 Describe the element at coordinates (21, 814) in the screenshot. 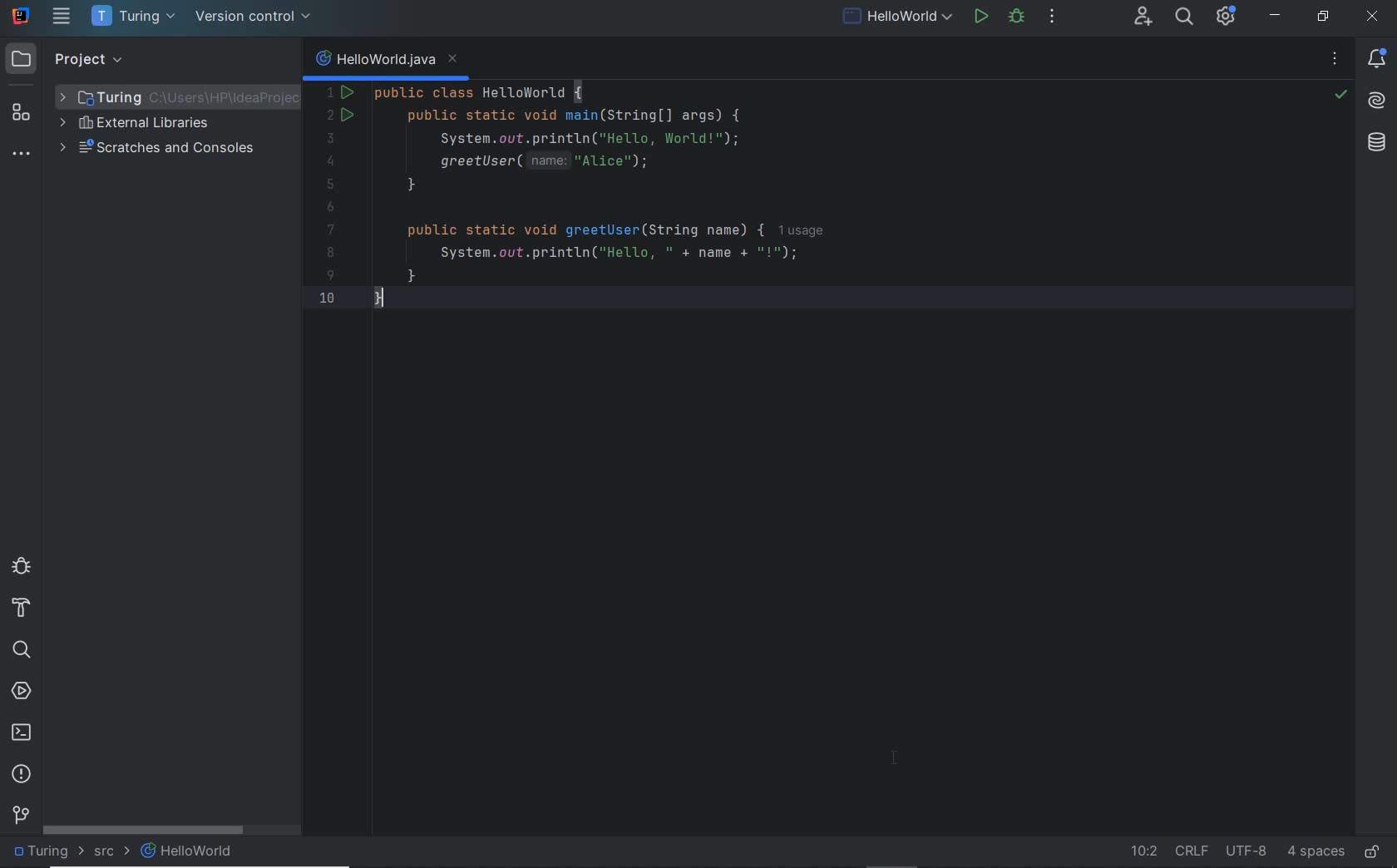

I see `version control` at that location.